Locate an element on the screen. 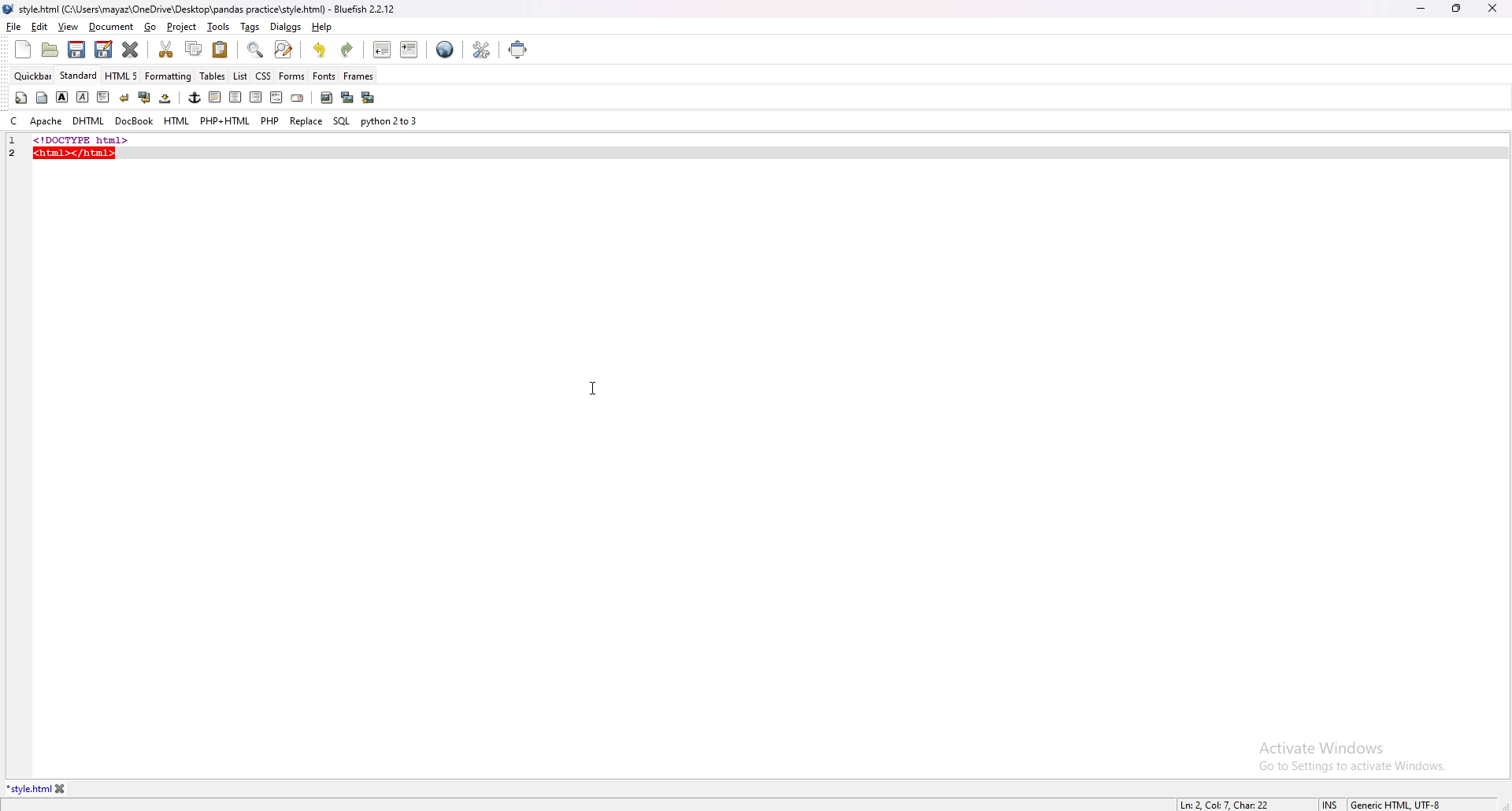 This screenshot has height=811, width=1512. full screen is located at coordinates (520, 49).